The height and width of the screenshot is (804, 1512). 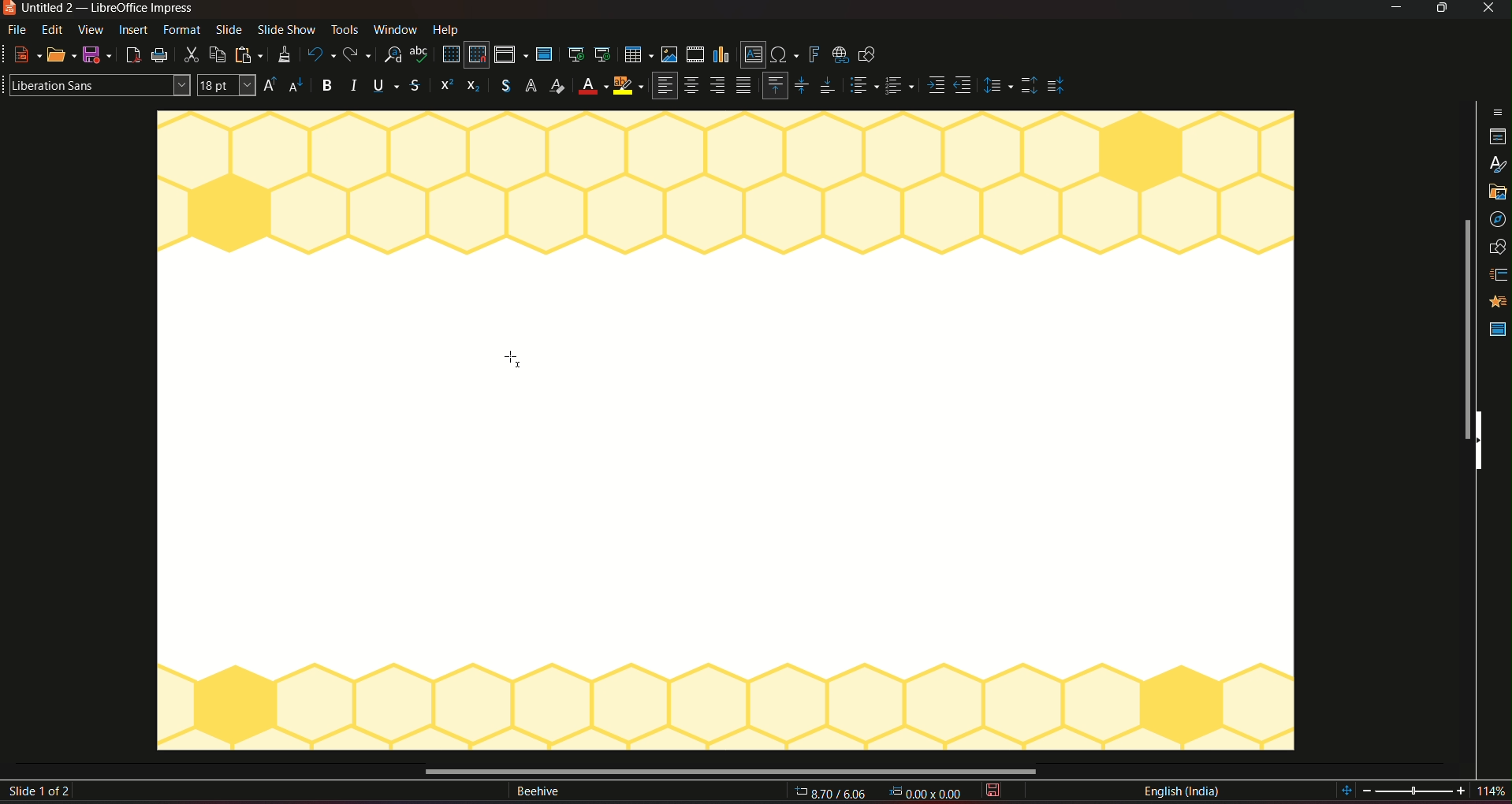 What do you see at coordinates (828, 86) in the screenshot?
I see `Align bottom` at bounding box center [828, 86].